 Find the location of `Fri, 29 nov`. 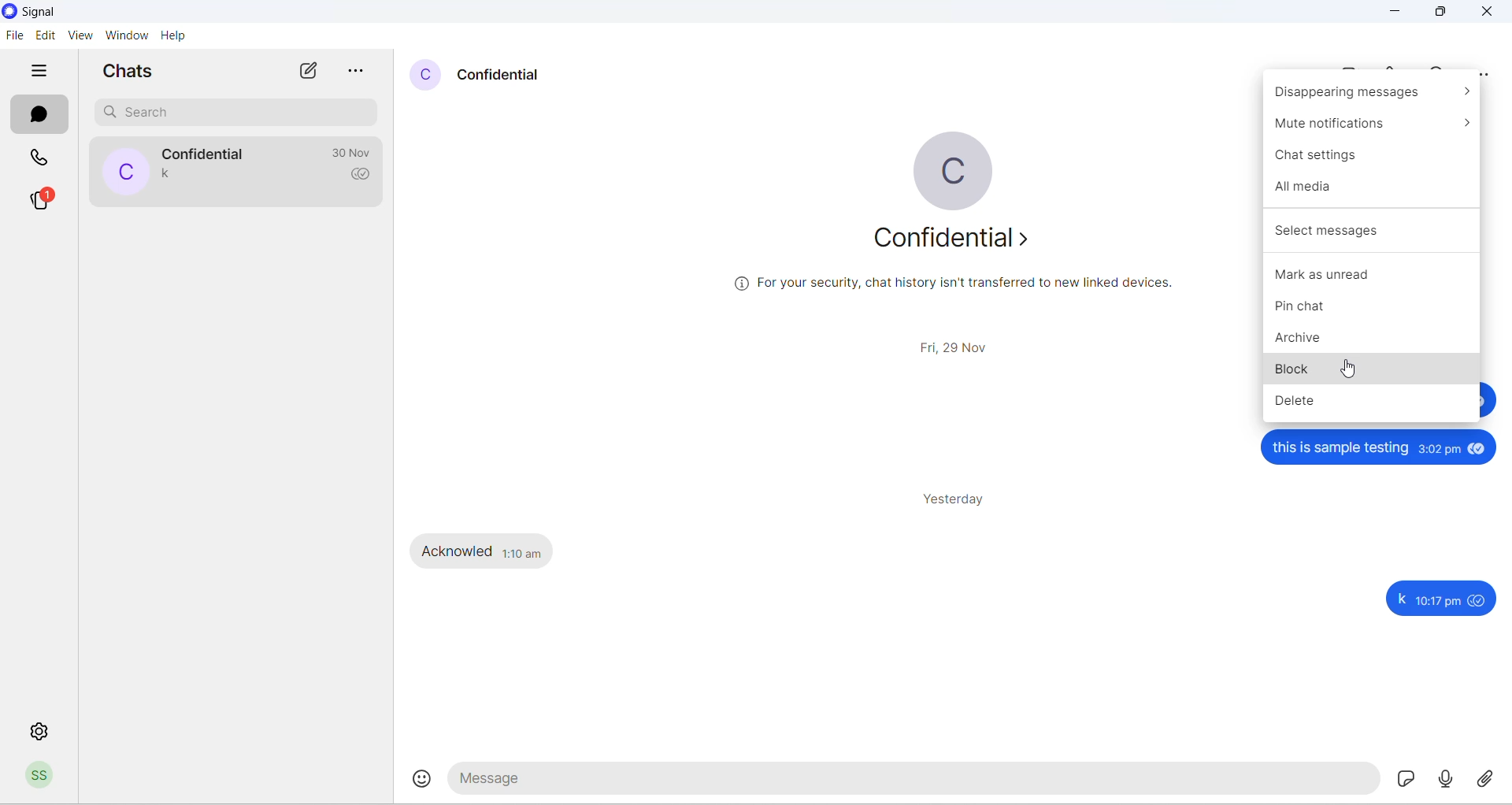

Fri, 29 nov is located at coordinates (958, 347).